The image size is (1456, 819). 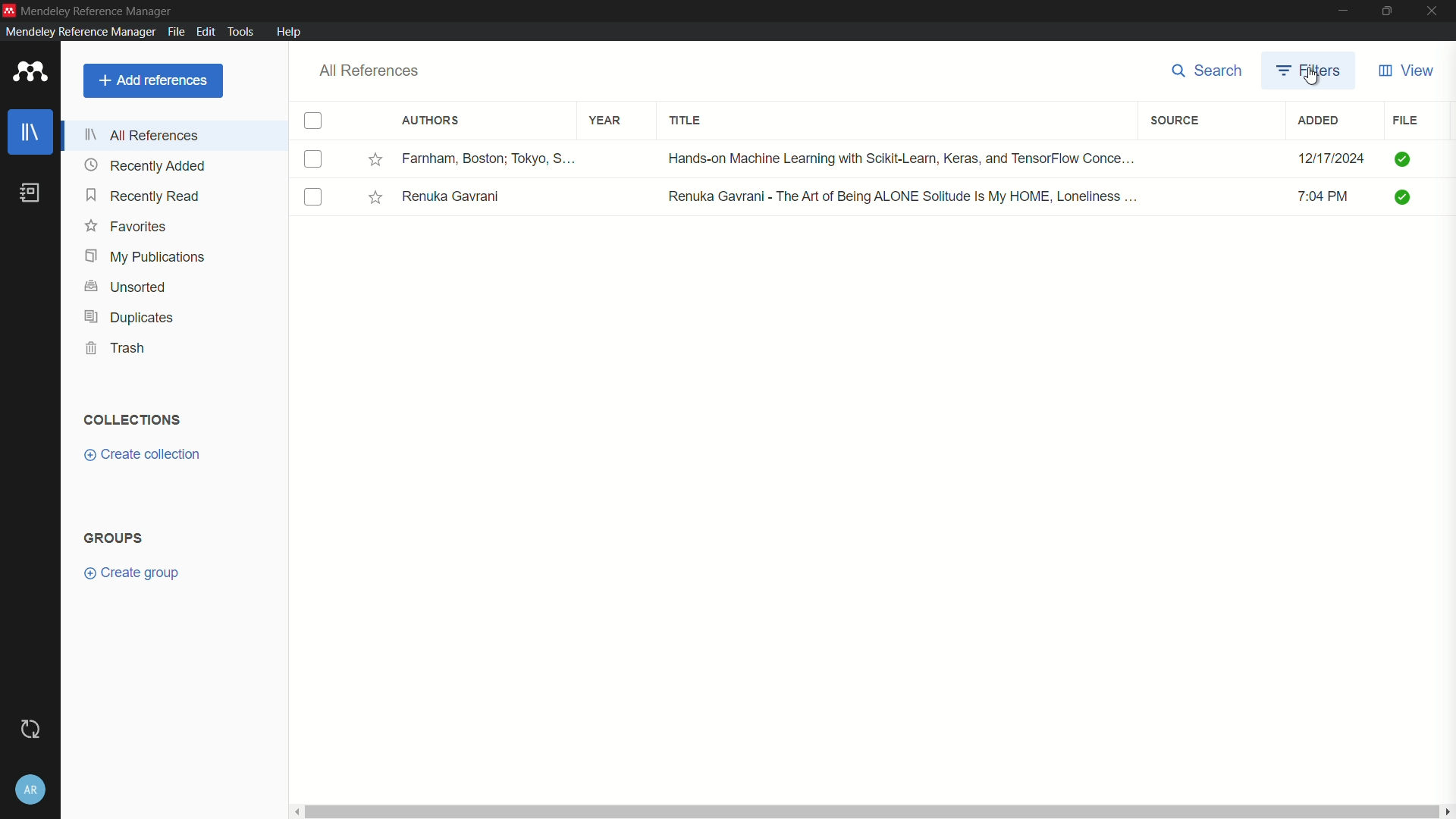 I want to click on Renuka Gavrani - The Art of Being ALONE Solitude Is My HOME, Loneliness ..., so click(x=905, y=198).